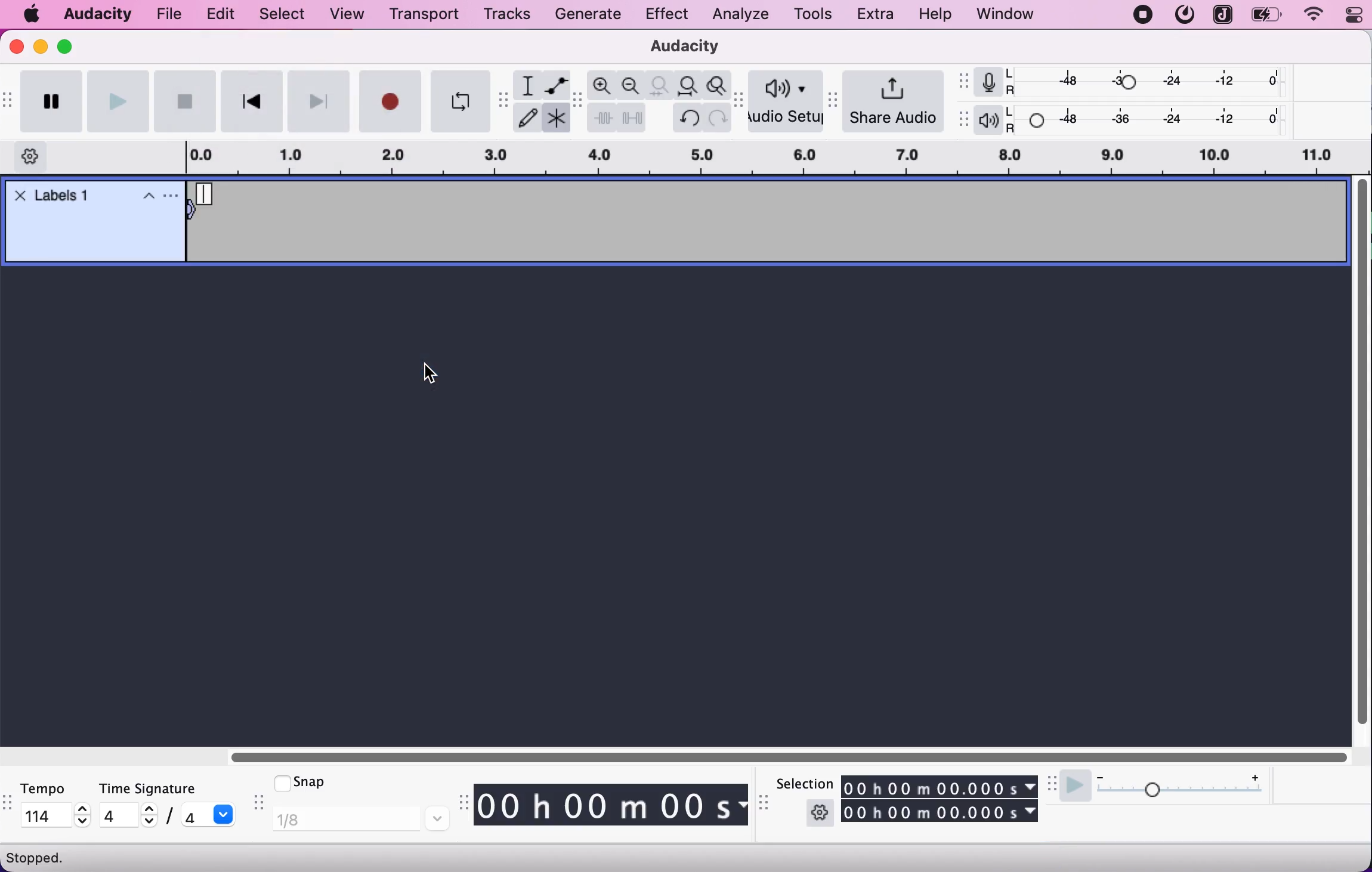 The image size is (1372, 872). I want to click on playback level, so click(1149, 120).